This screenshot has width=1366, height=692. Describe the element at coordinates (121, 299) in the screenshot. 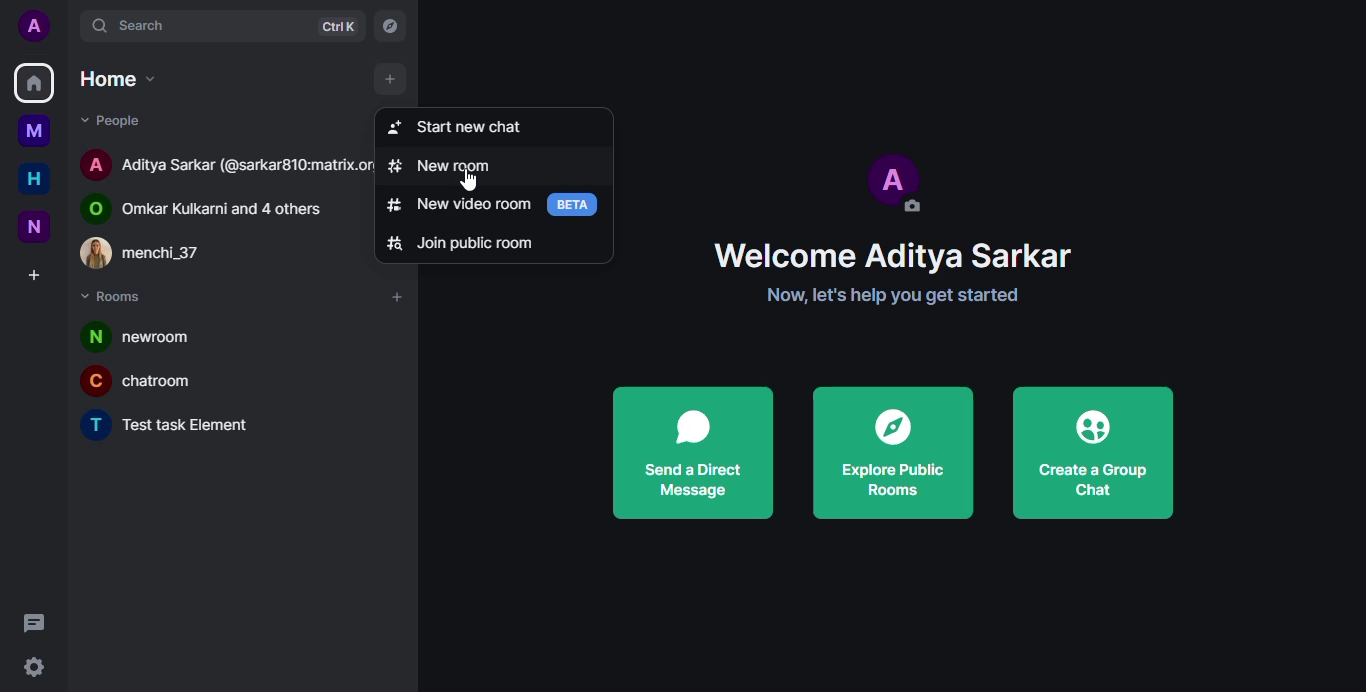

I see `rooms dropdown` at that location.